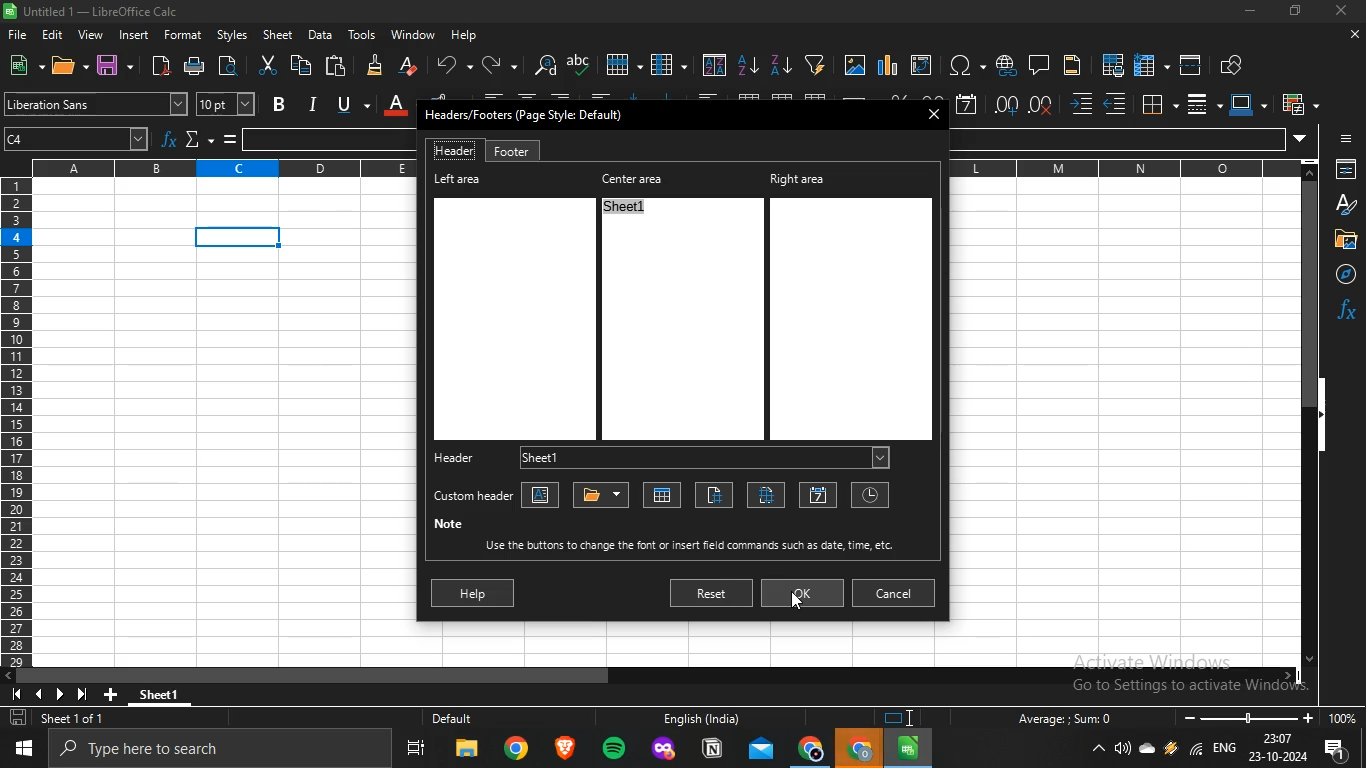  What do you see at coordinates (1346, 135) in the screenshot?
I see `icon` at bounding box center [1346, 135].